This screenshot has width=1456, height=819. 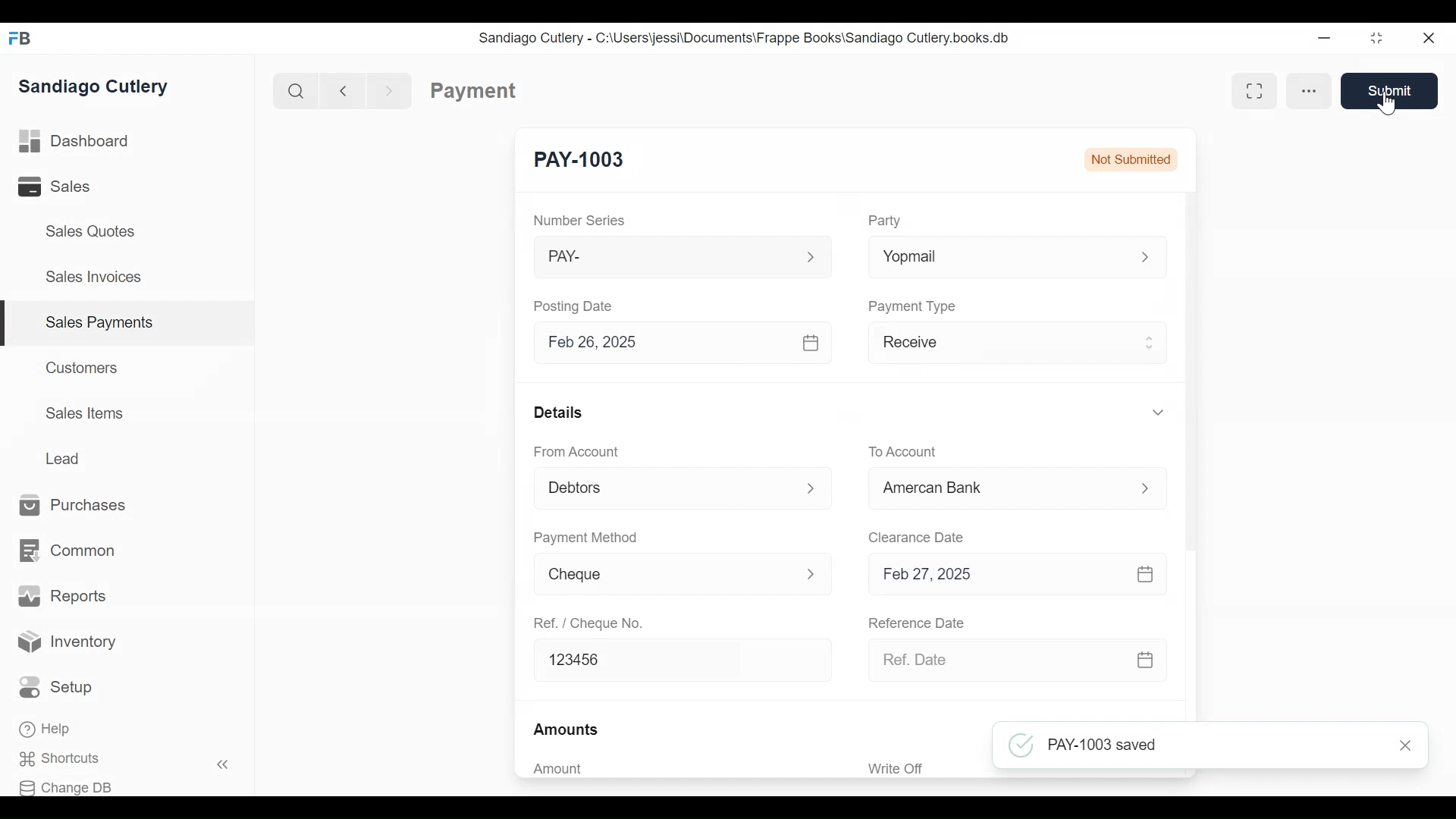 What do you see at coordinates (390, 89) in the screenshot?
I see `Navigate forward` at bounding box center [390, 89].